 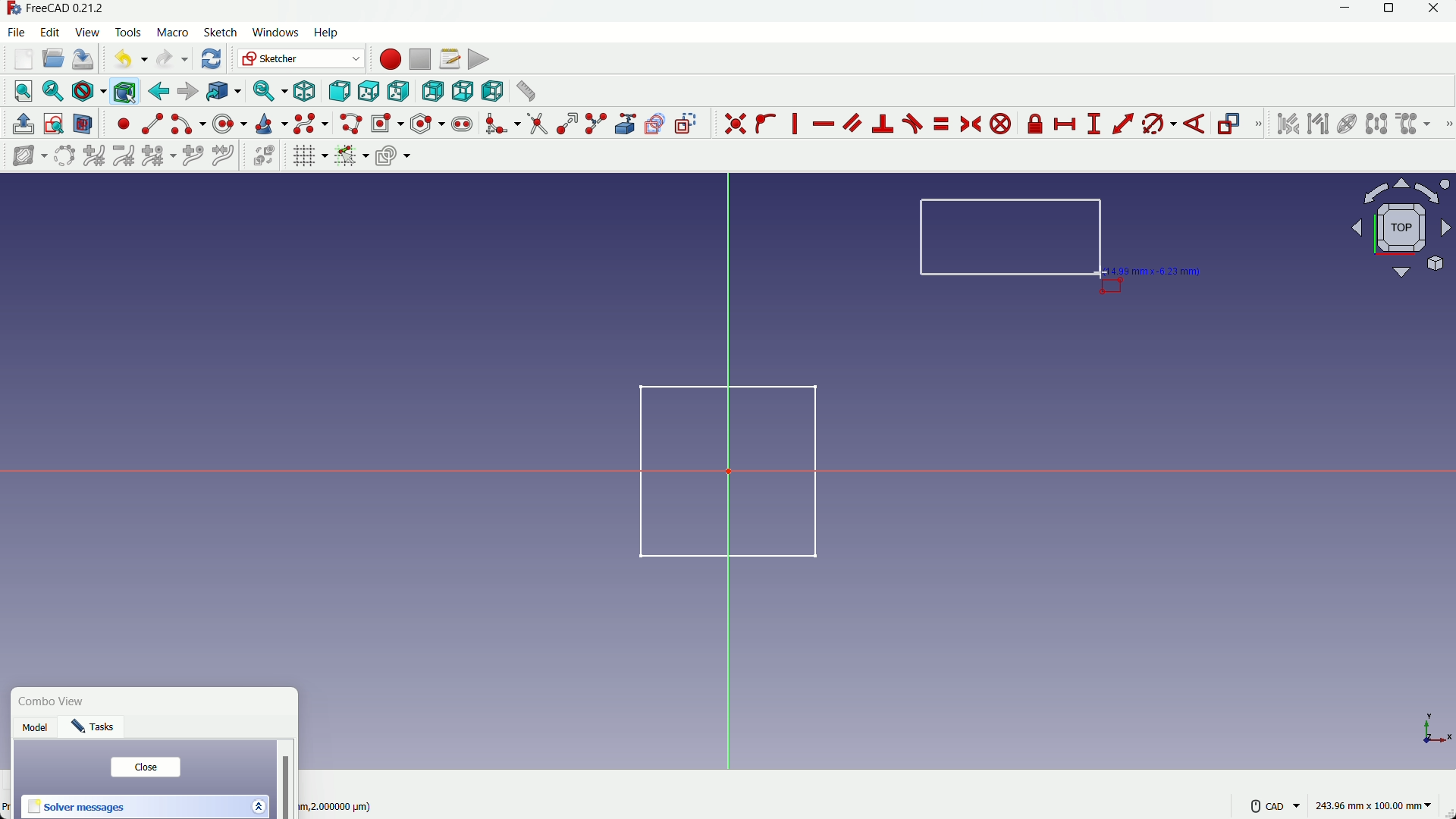 I want to click on split edge, so click(x=598, y=124).